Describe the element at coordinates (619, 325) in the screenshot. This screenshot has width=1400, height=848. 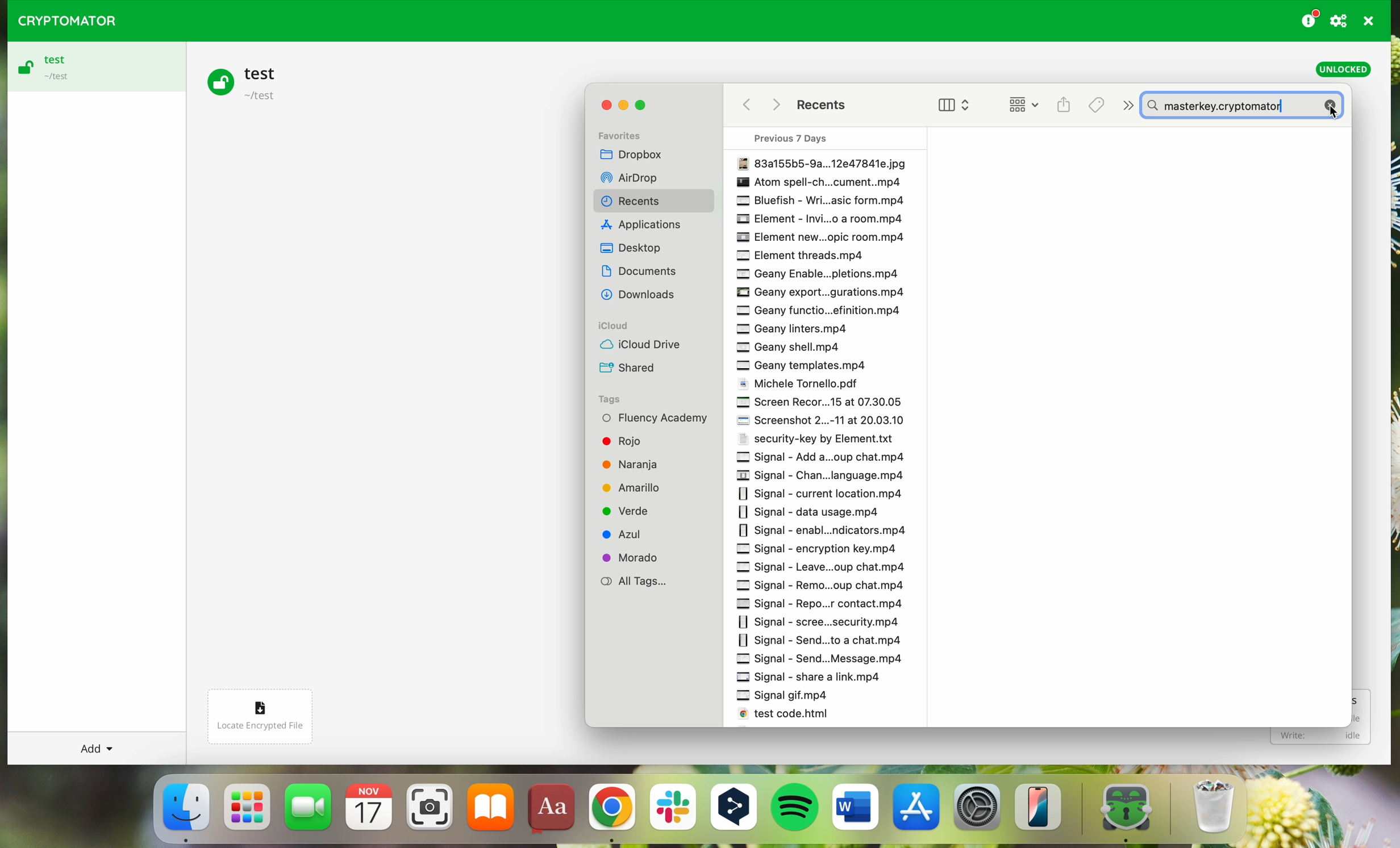
I see `iCloud` at that location.